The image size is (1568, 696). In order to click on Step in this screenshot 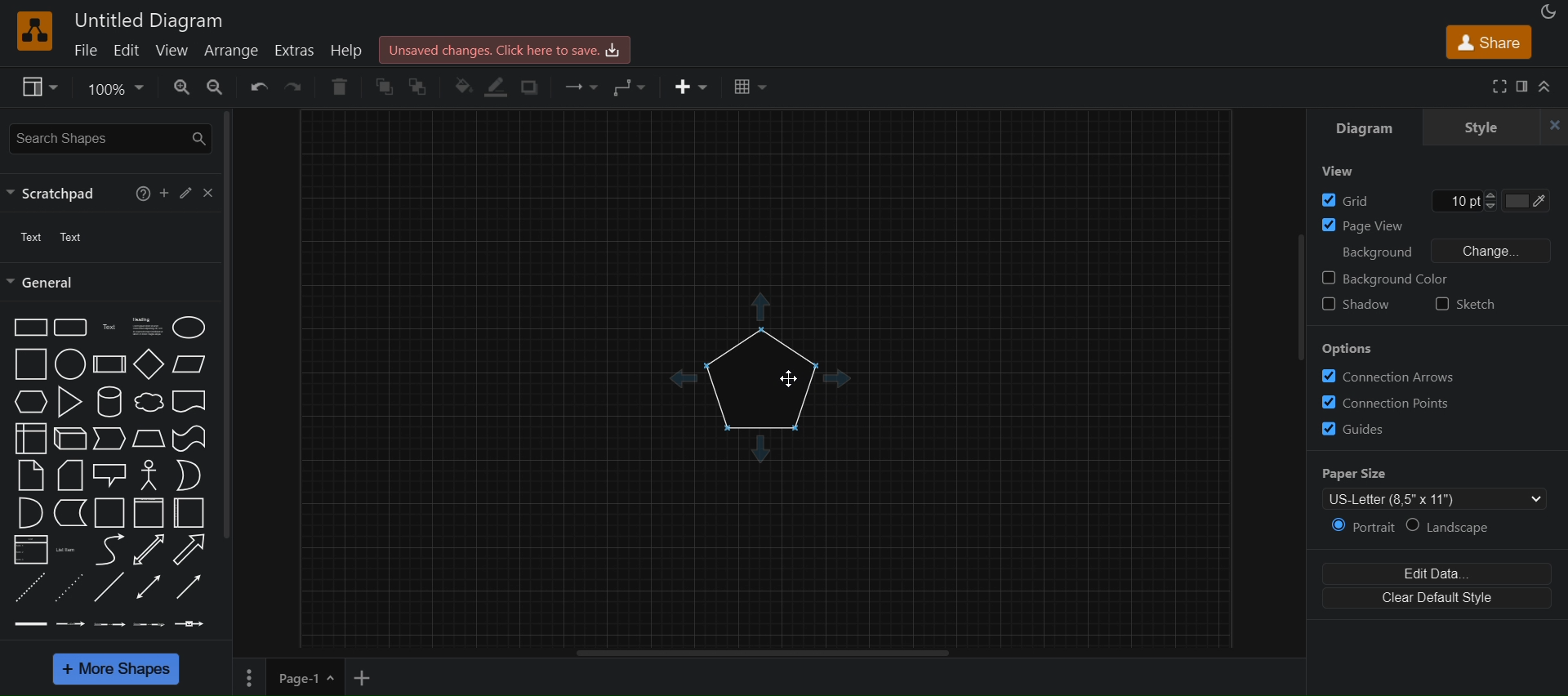, I will do `click(109, 439)`.